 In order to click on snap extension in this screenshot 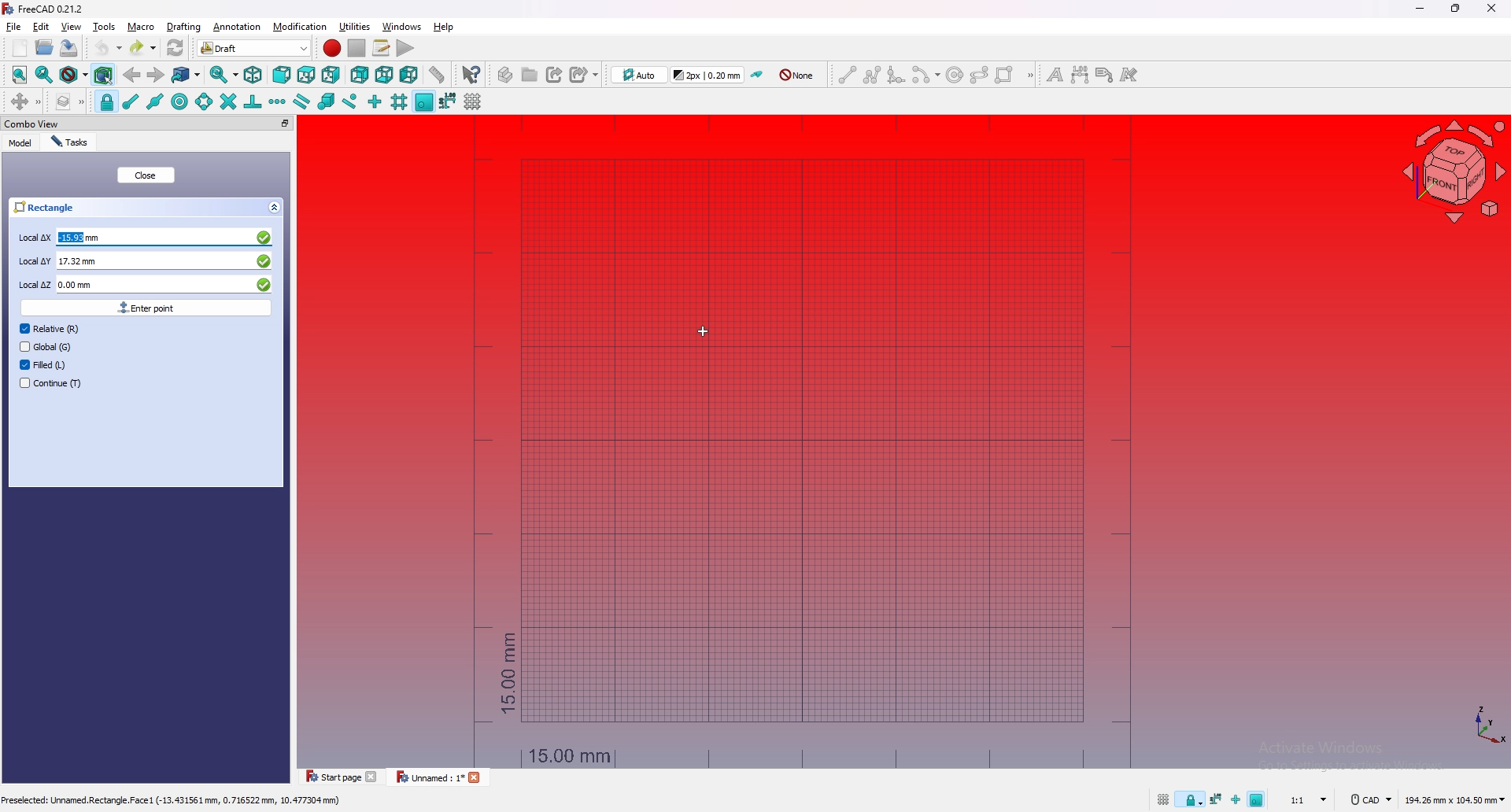, I will do `click(278, 101)`.